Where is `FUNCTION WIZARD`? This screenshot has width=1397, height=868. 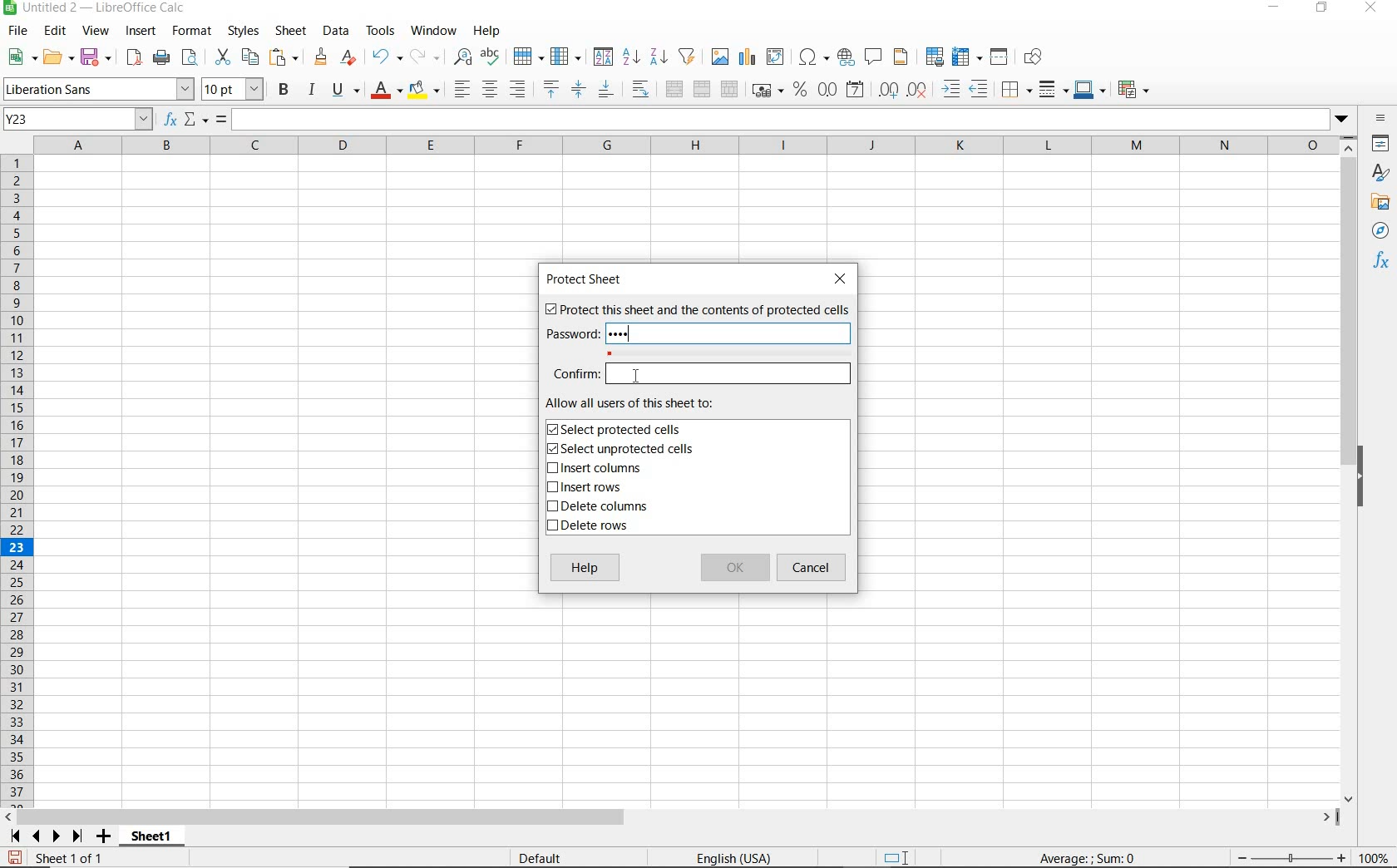 FUNCTION WIZARD is located at coordinates (170, 121).